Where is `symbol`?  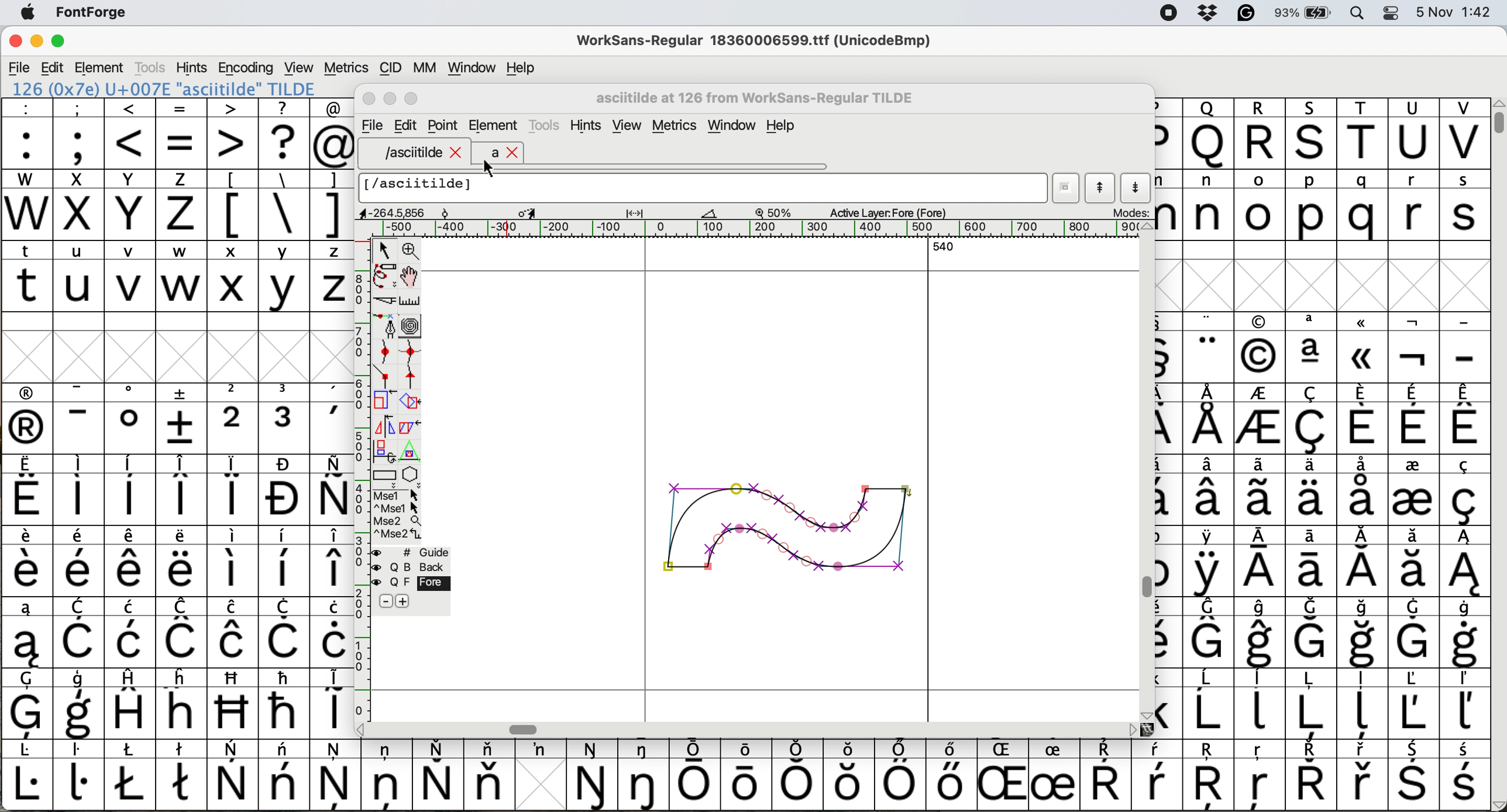 symbol is located at coordinates (332, 419).